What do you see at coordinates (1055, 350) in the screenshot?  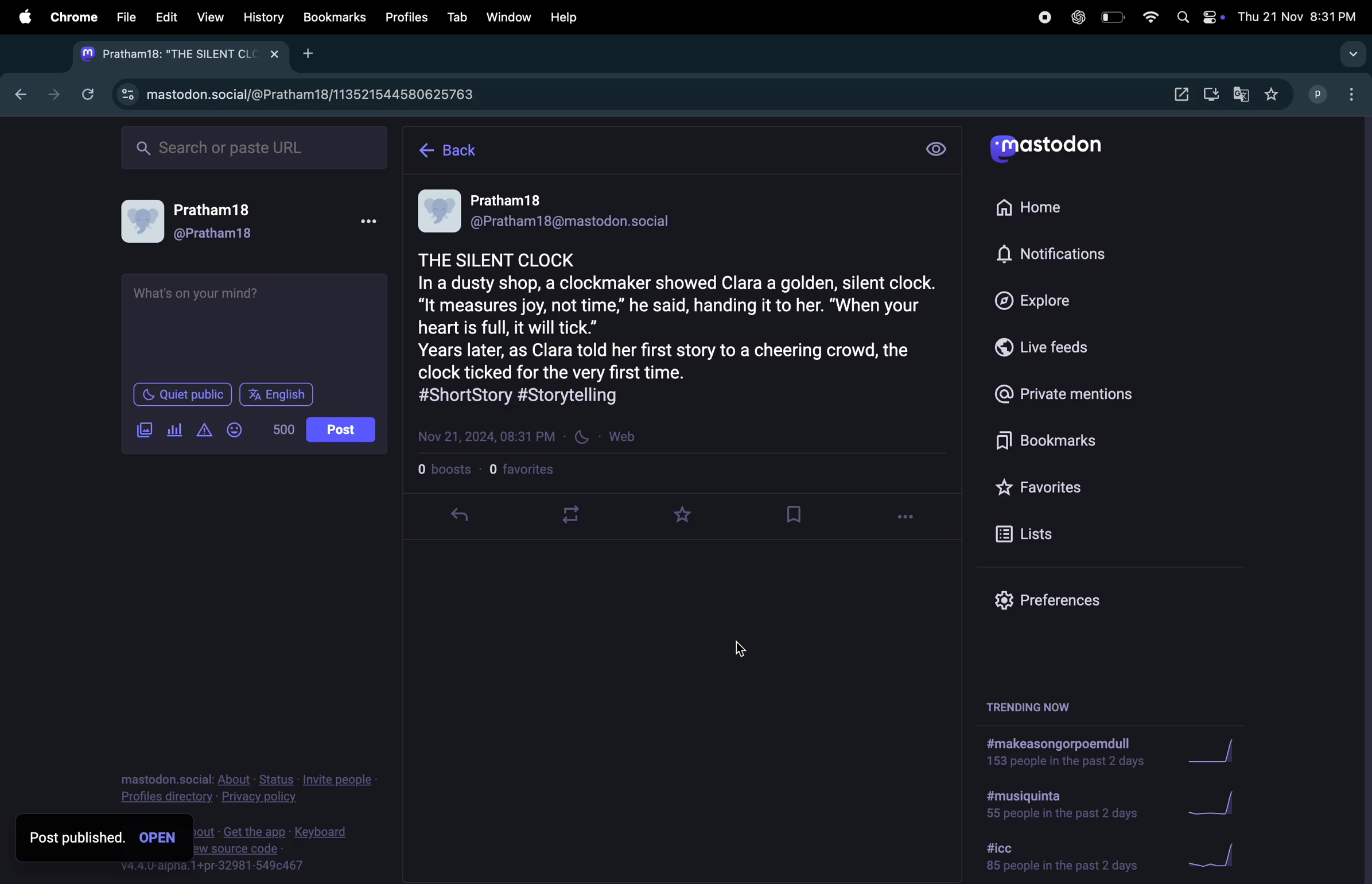 I see `live feeds` at bounding box center [1055, 350].